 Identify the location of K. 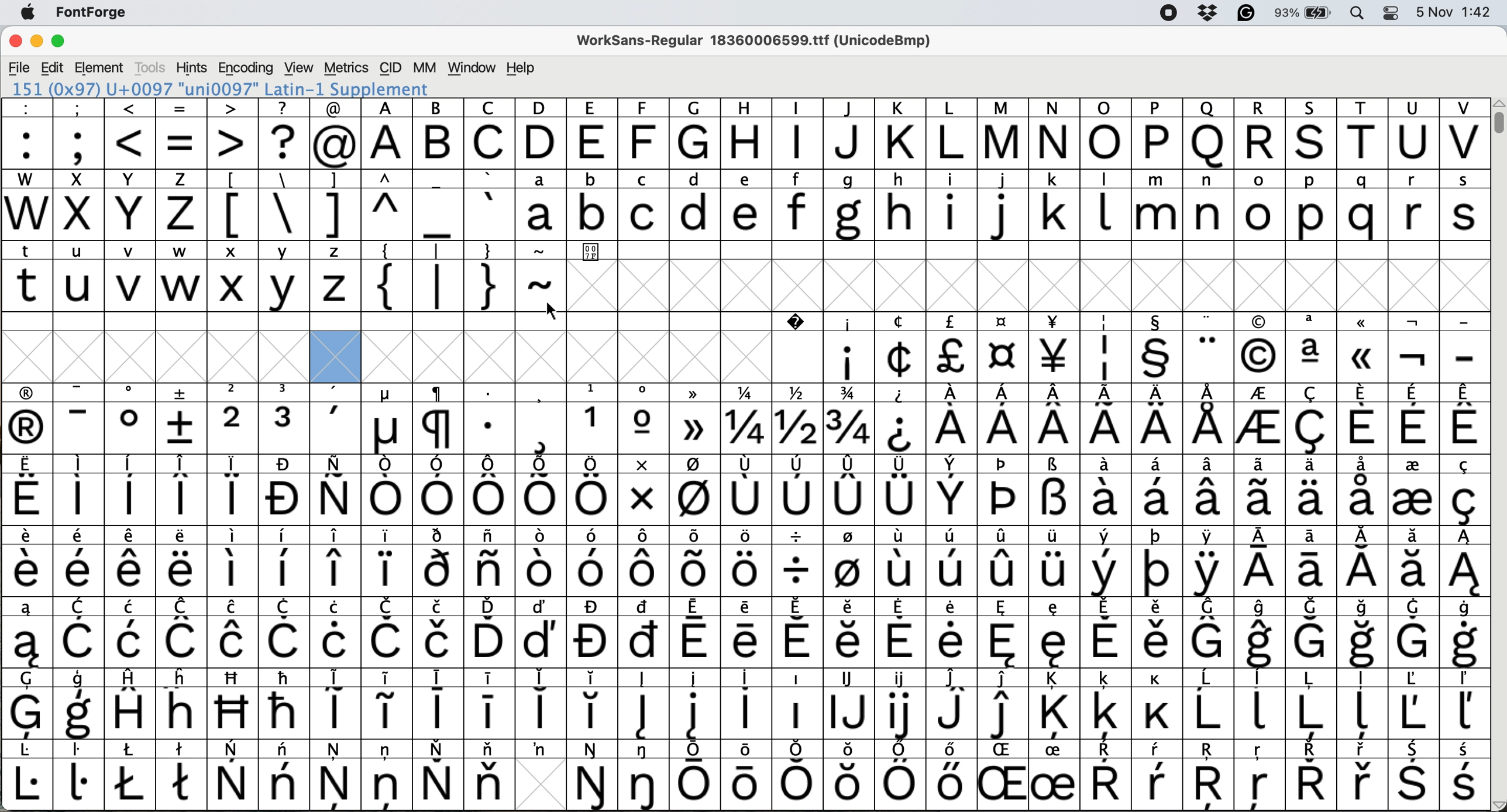
(900, 134).